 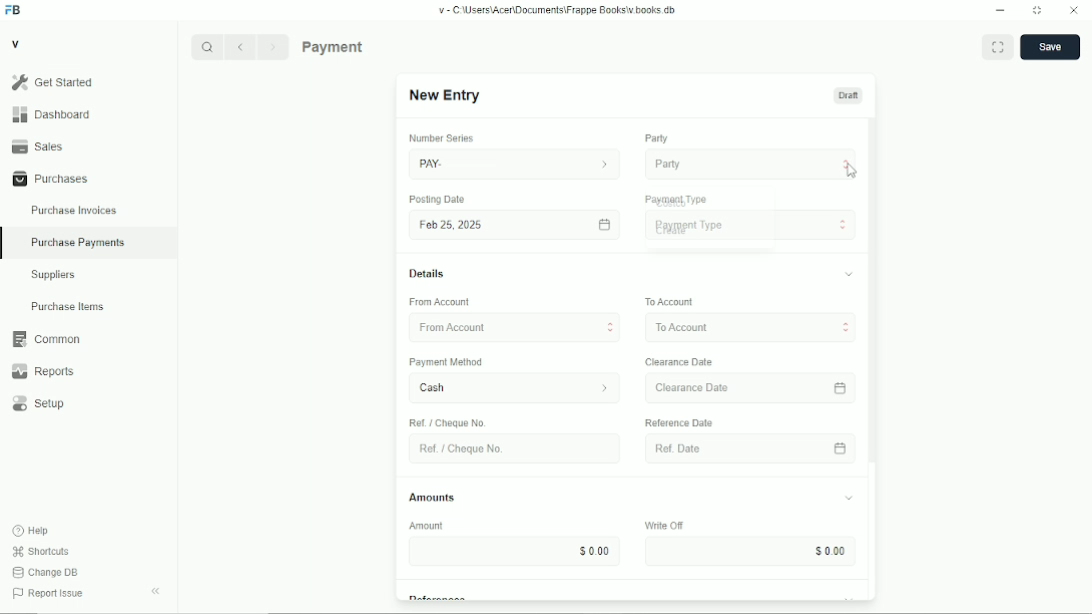 What do you see at coordinates (1050, 47) in the screenshot?
I see `save` at bounding box center [1050, 47].